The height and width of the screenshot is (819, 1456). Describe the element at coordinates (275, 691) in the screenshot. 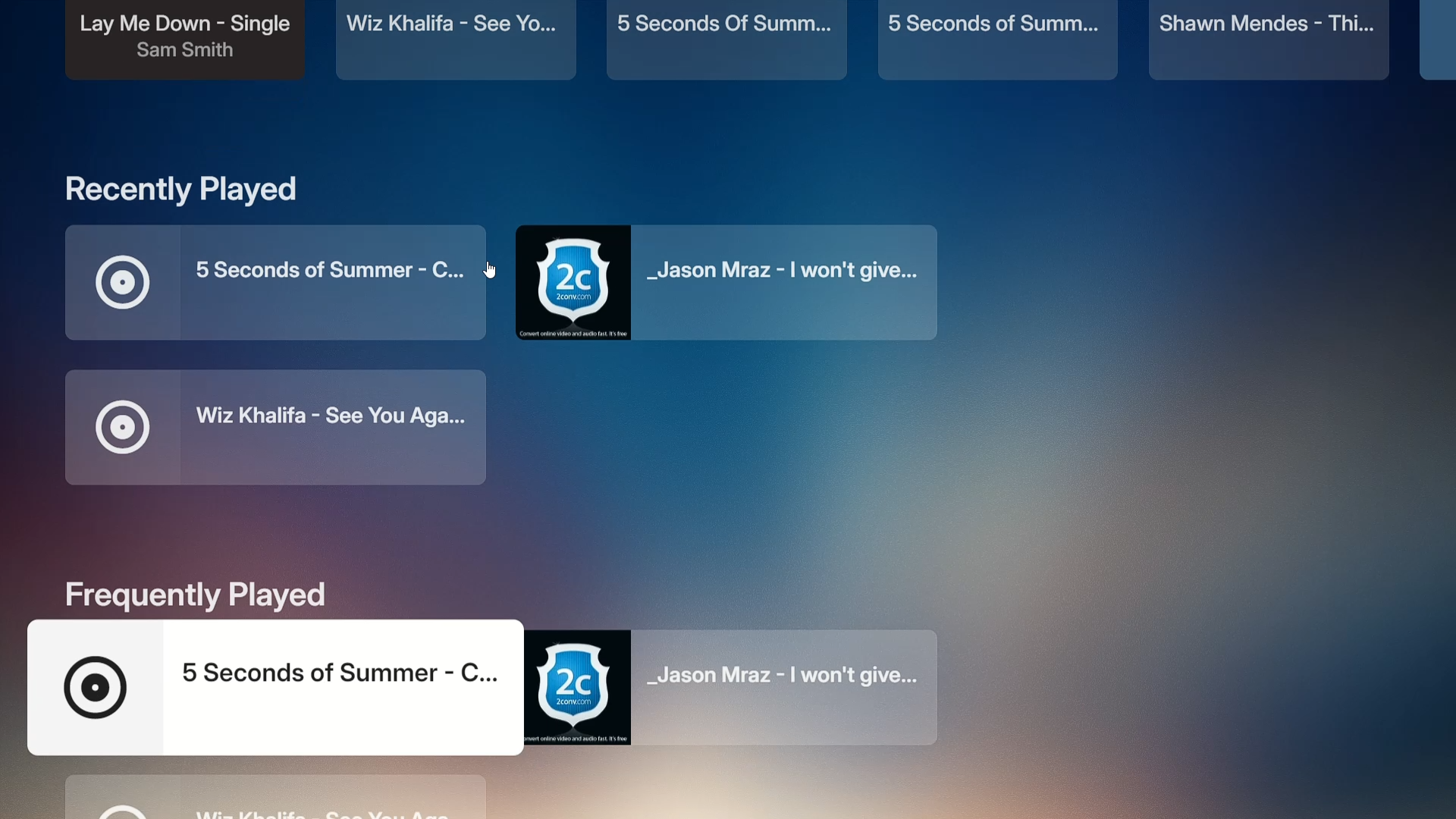

I see `5 Seconds of Summer` at that location.